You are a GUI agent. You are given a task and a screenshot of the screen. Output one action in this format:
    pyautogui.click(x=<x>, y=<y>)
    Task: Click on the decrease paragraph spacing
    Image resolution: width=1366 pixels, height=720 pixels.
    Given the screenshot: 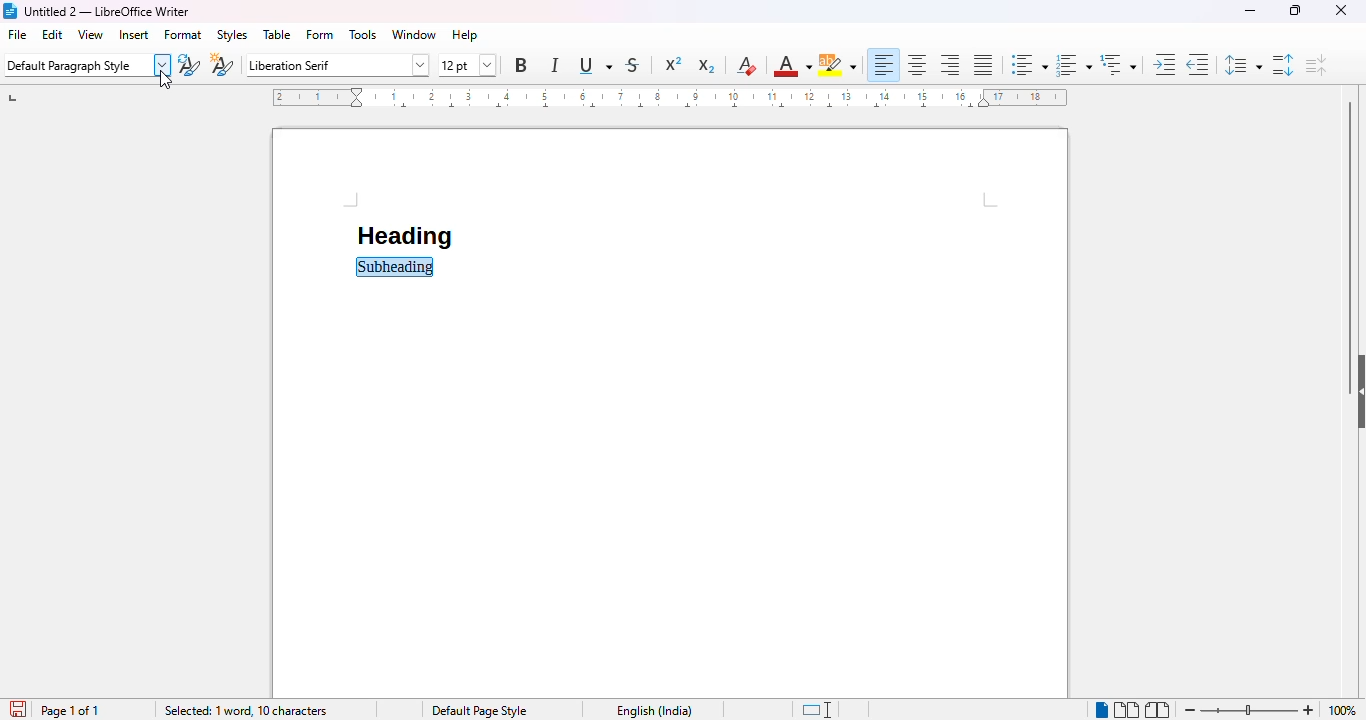 What is the action you would take?
    pyautogui.click(x=1316, y=65)
    